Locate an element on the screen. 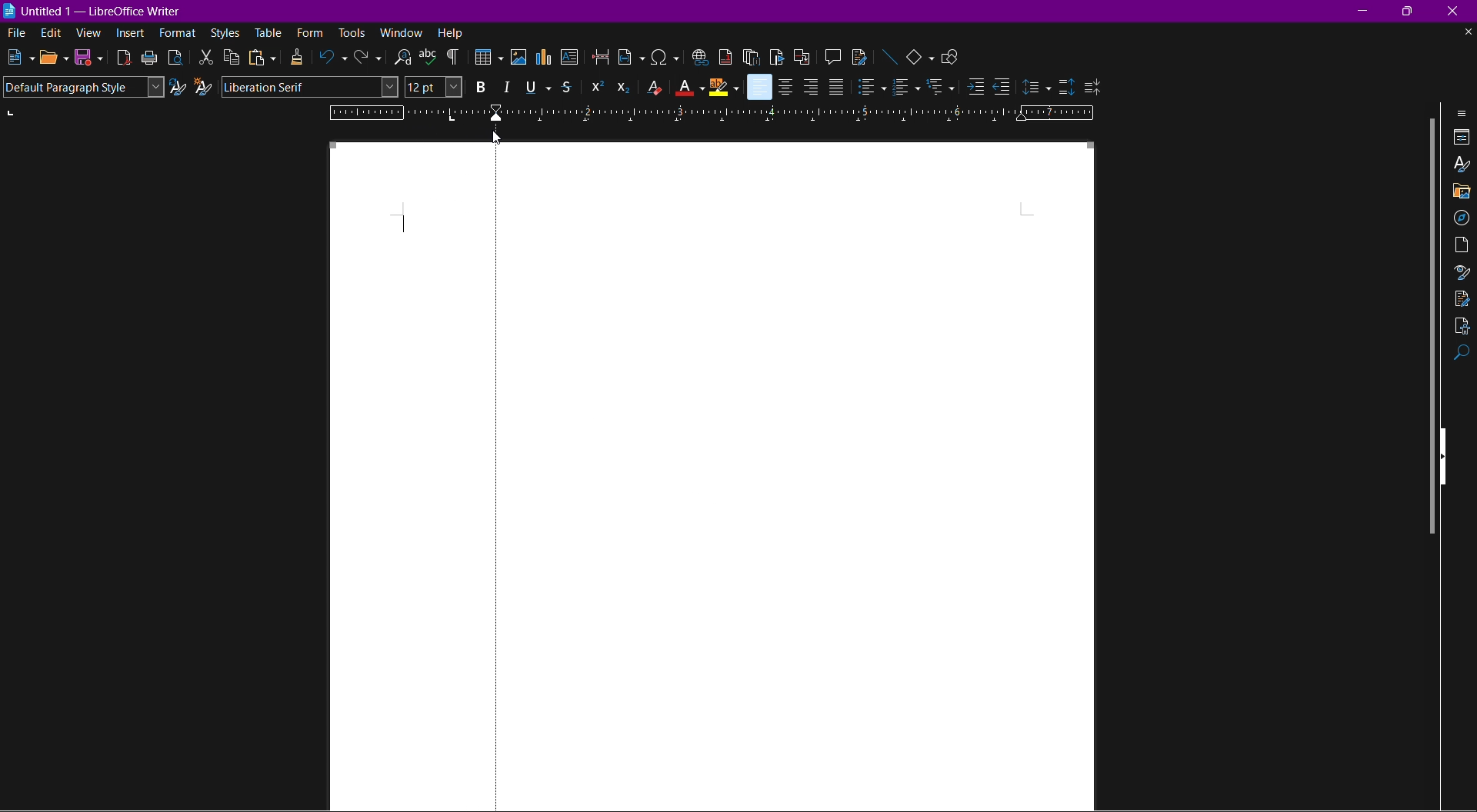 The width and height of the screenshot is (1477, 812). Show Draw functions is located at coordinates (954, 55).